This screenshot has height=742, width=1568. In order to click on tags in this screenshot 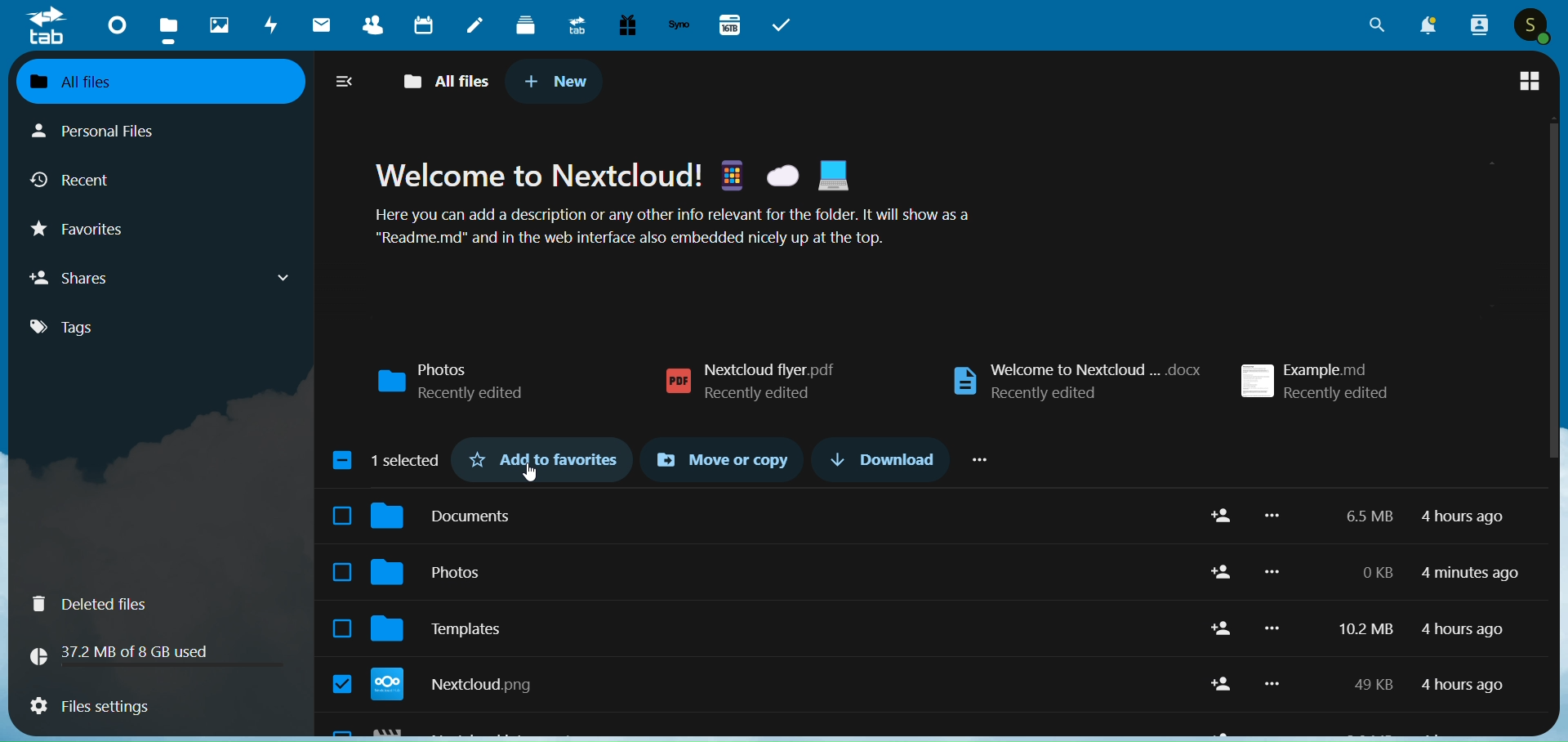, I will do `click(88, 331)`.